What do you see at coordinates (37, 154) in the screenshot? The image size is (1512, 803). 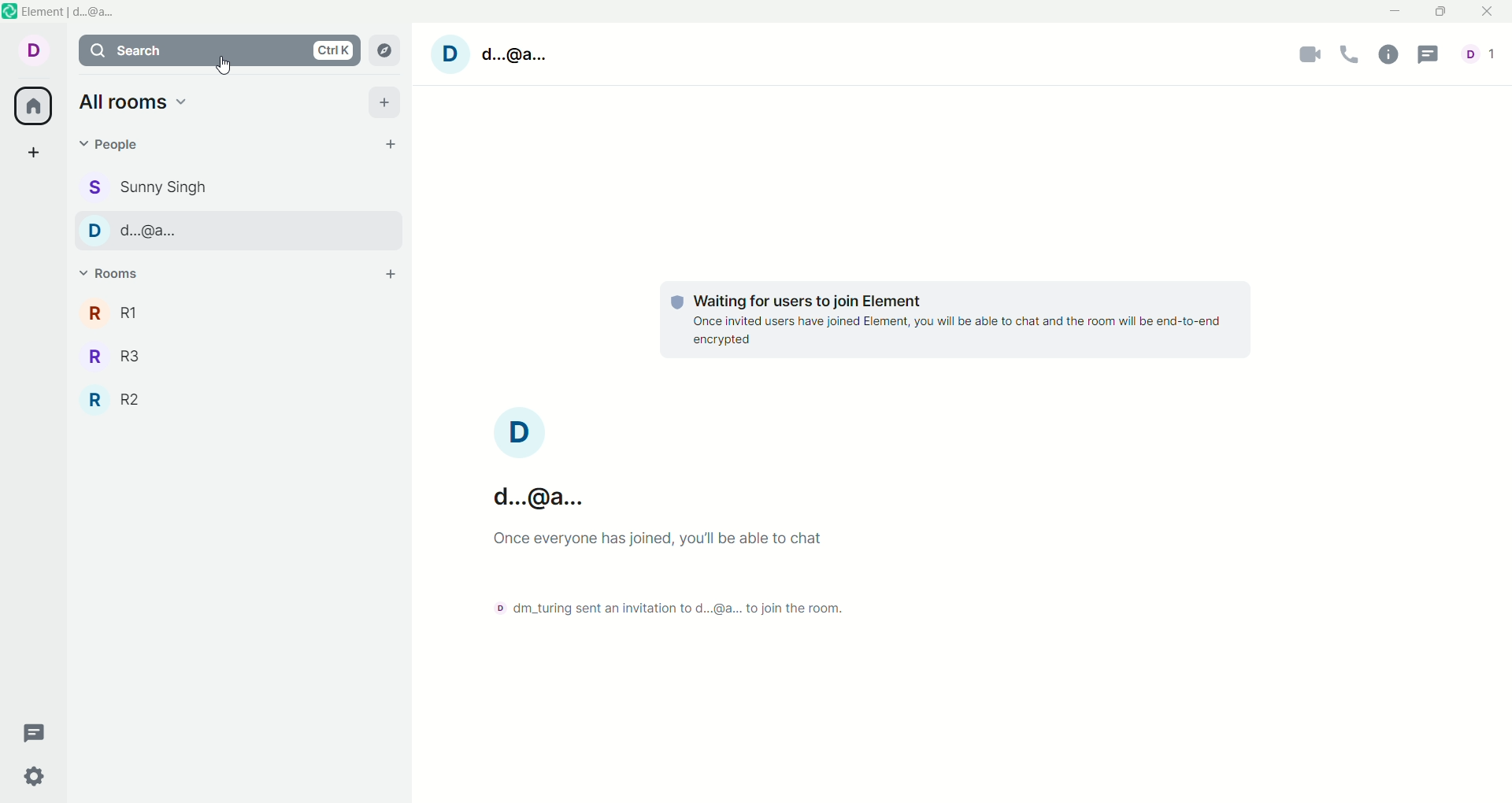 I see `add` at bounding box center [37, 154].